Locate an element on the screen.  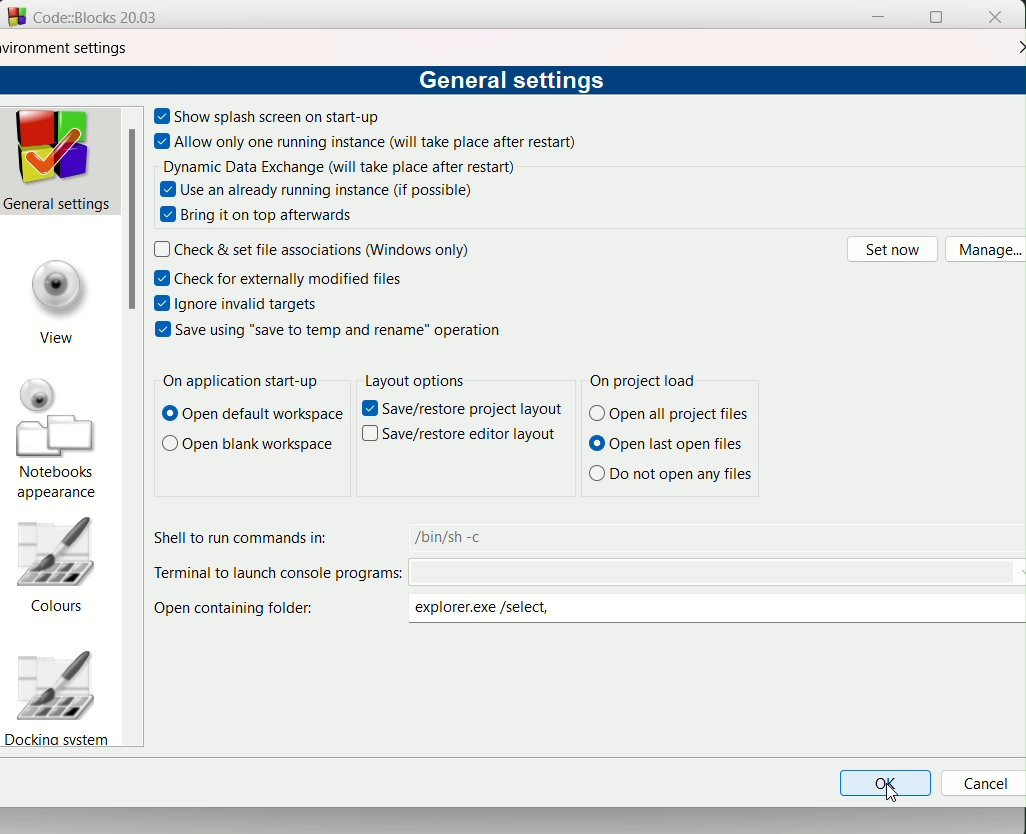
set now is located at coordinates (892, 249).